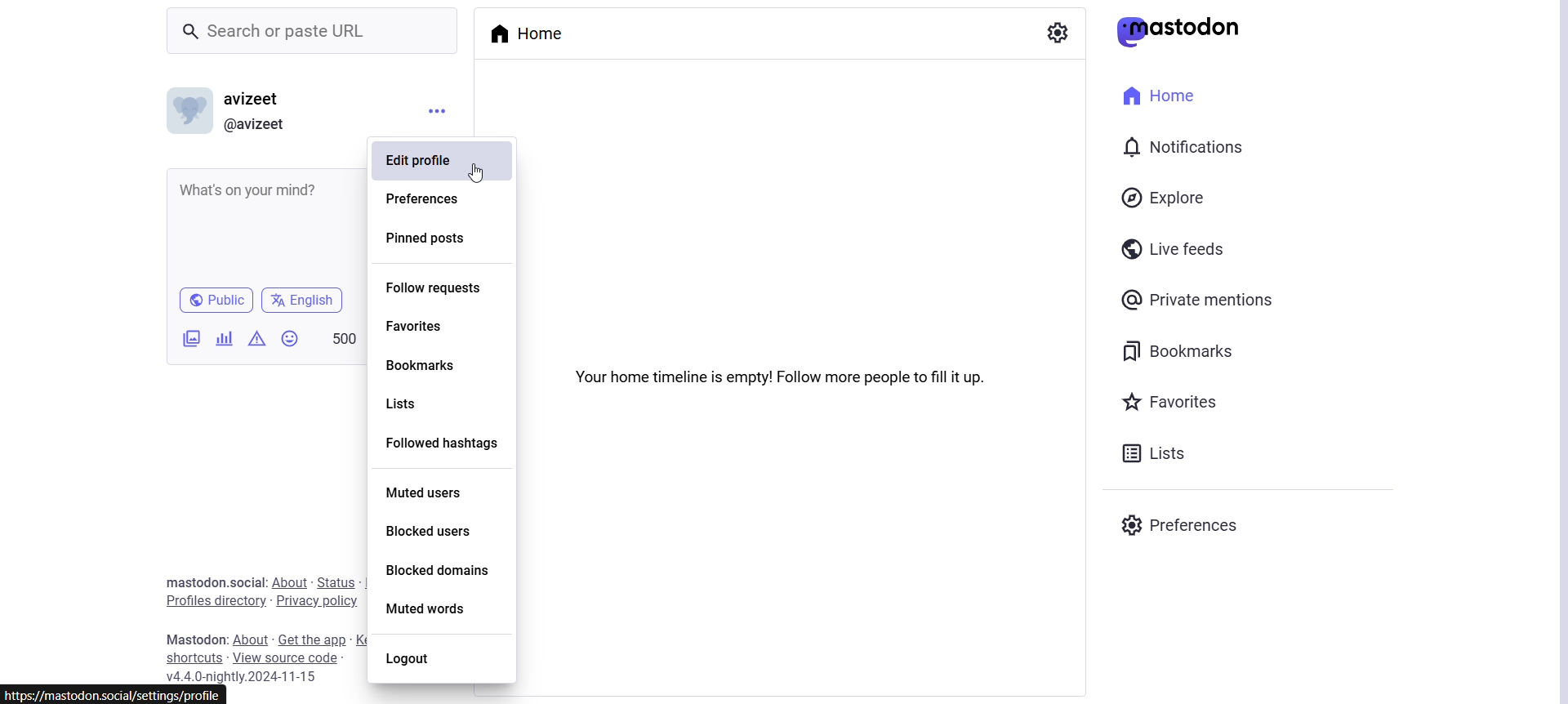 The width and height of the screenshot is (1568, 704). What do you see at coordinates (289, 338) in the screenshot?
I see `Insert Emoji` at bounding box center [289, 338].